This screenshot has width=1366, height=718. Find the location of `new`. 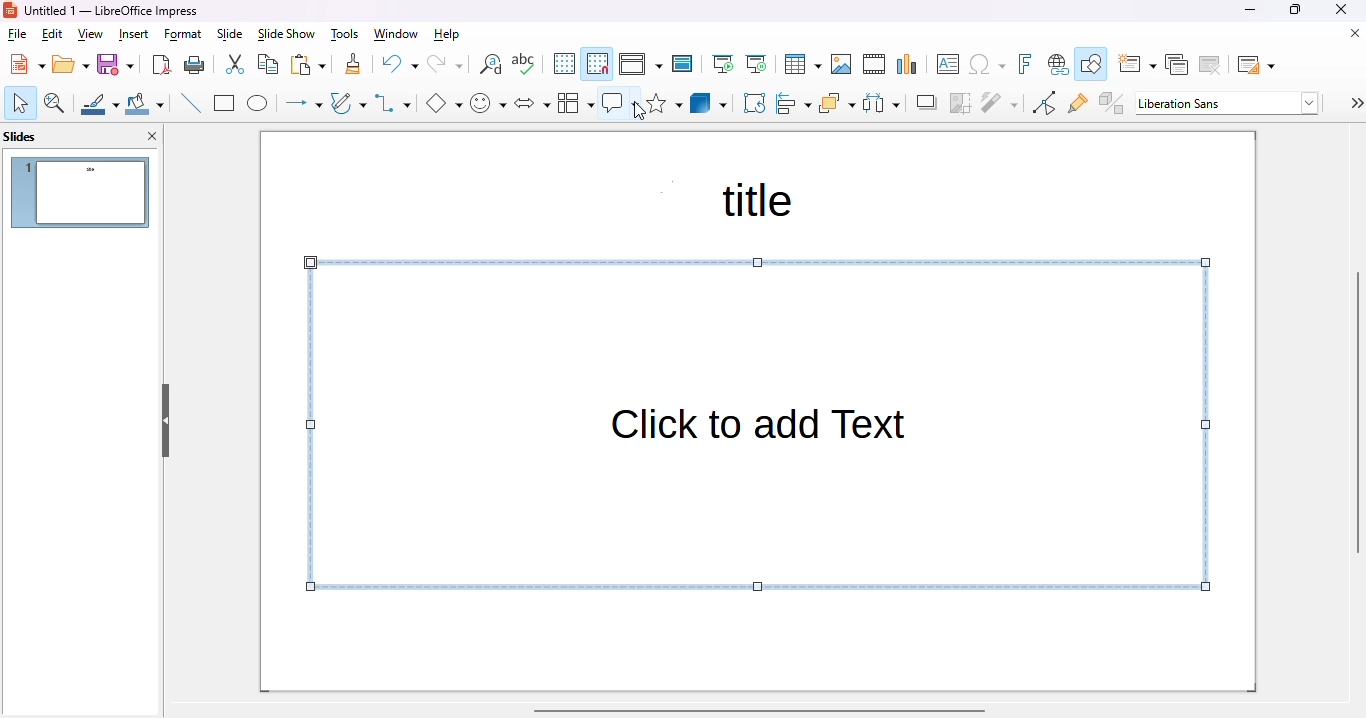

new is located at coordinates (27, 64).